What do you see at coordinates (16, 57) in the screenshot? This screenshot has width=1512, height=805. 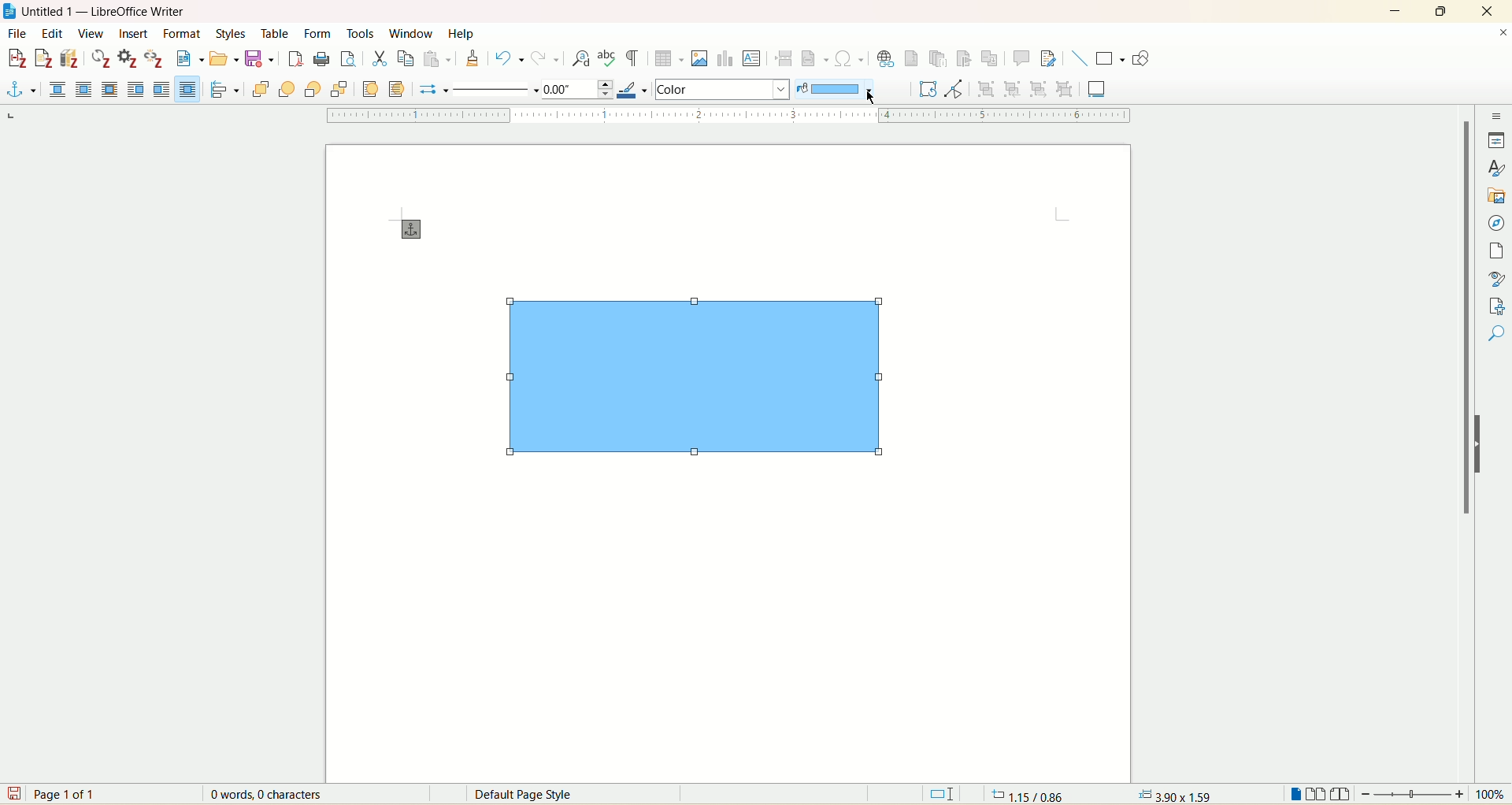 I see `add citation` at bounding box center [16, 57].